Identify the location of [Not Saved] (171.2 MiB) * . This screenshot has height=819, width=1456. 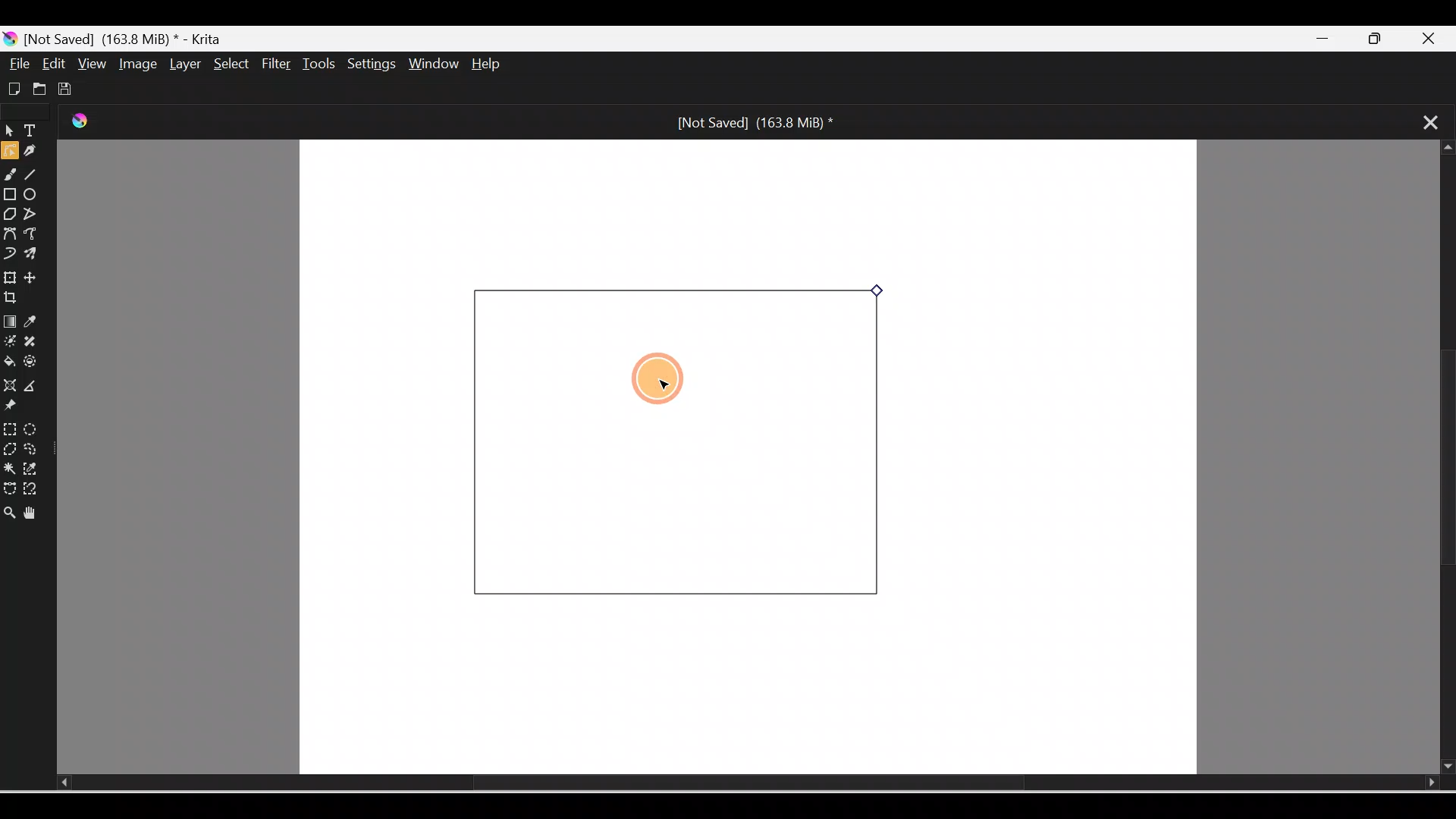
(751, 121).